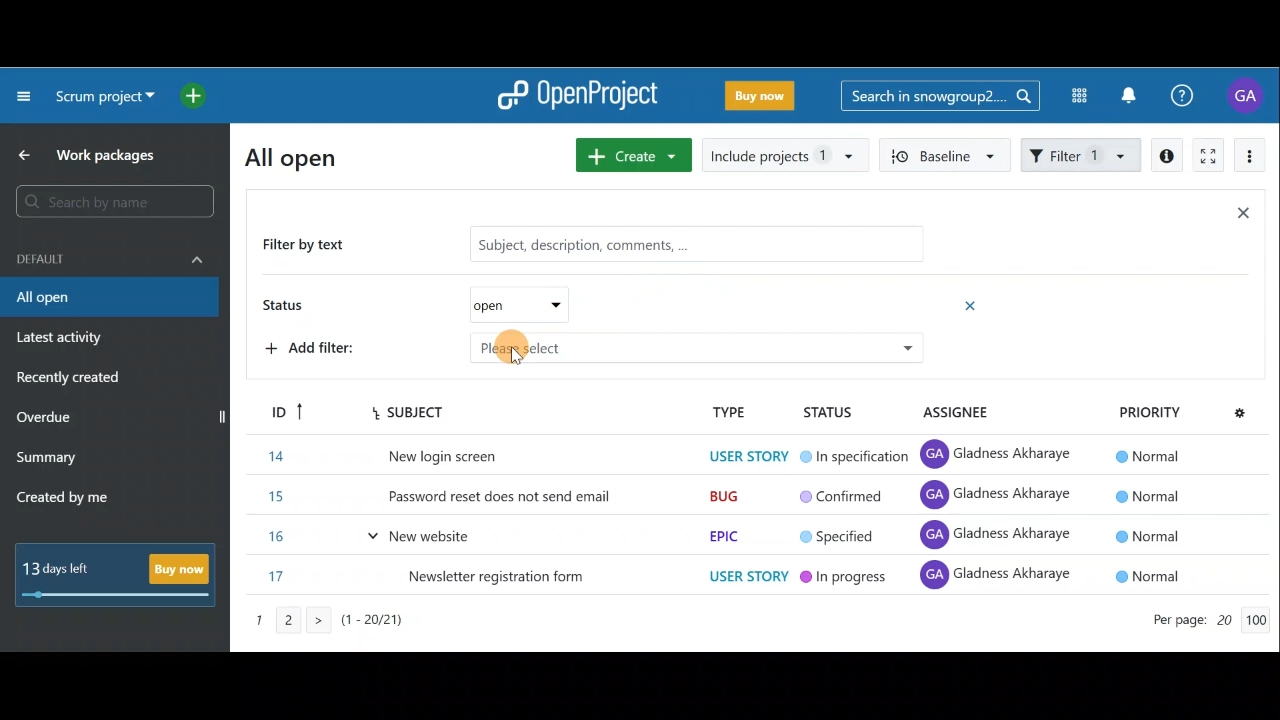 This screenshot has height=720, width=1280. Describe the element at coordinates (1205, 622) in the screenshot. I see `Page count` at that location.